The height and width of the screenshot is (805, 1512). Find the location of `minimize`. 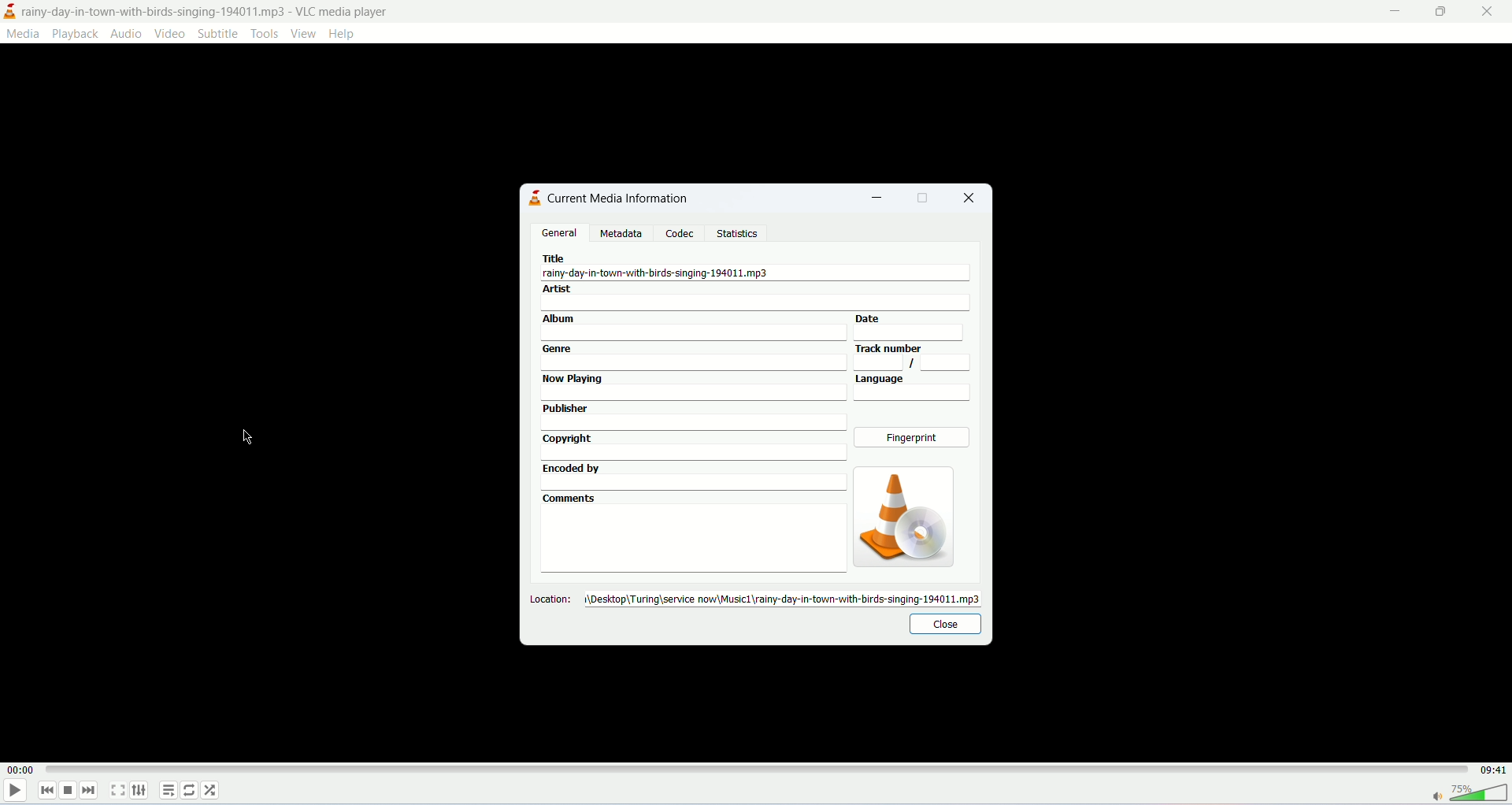

minimize is located at coordinates (881, 197).